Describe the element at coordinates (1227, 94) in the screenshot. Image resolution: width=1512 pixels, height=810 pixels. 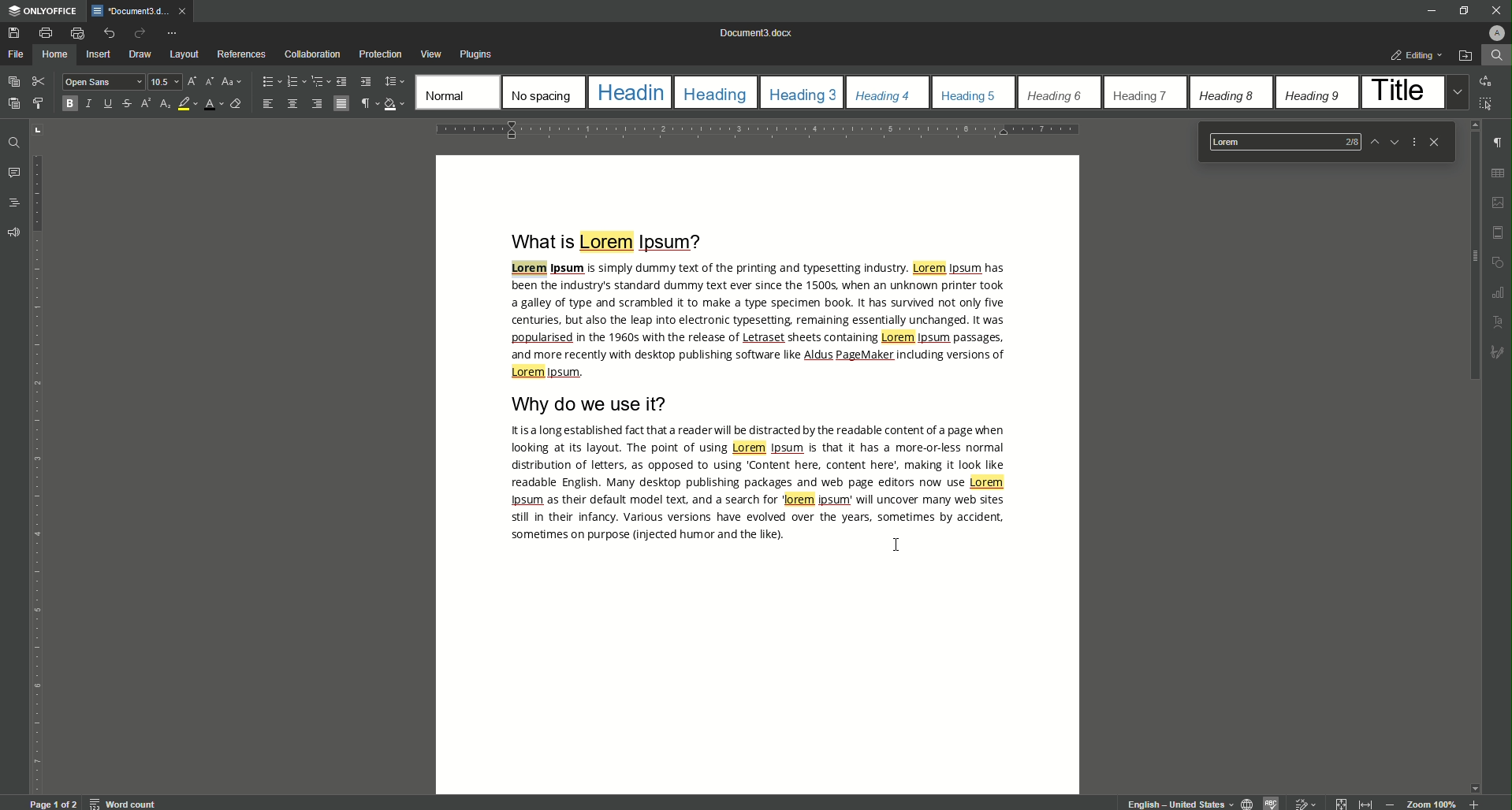
I see `Heading 8` at that location.